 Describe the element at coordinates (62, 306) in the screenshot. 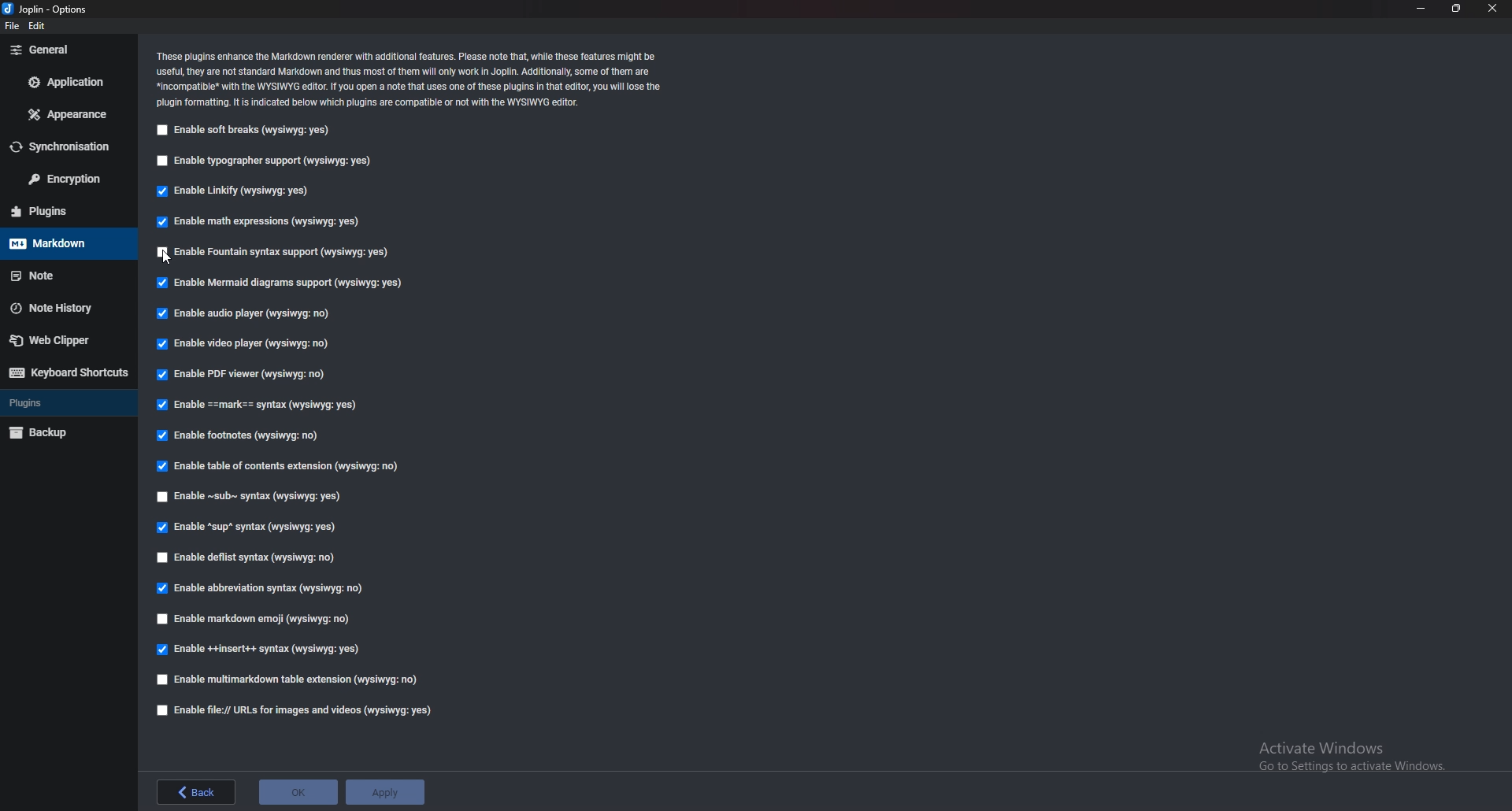

I see `Note history` at that location.